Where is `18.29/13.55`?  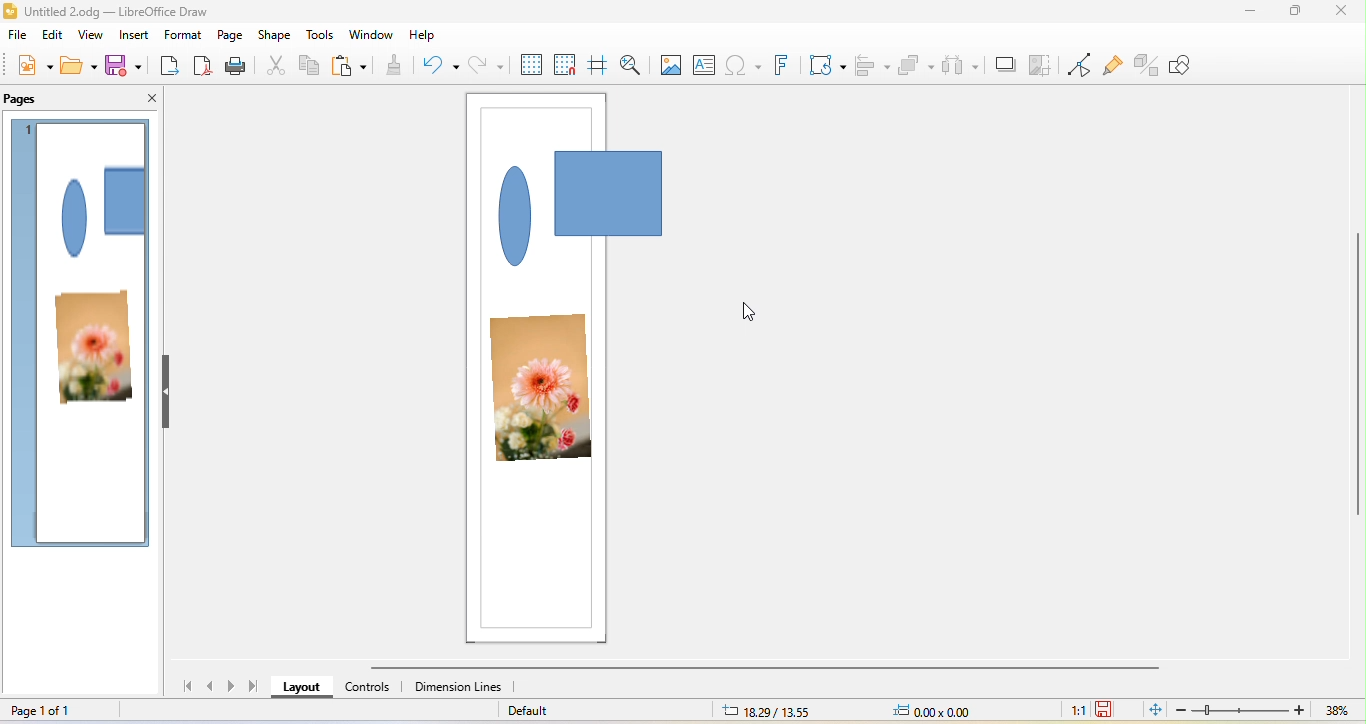 18.29/13.55 is located at coordinates (759, 712).